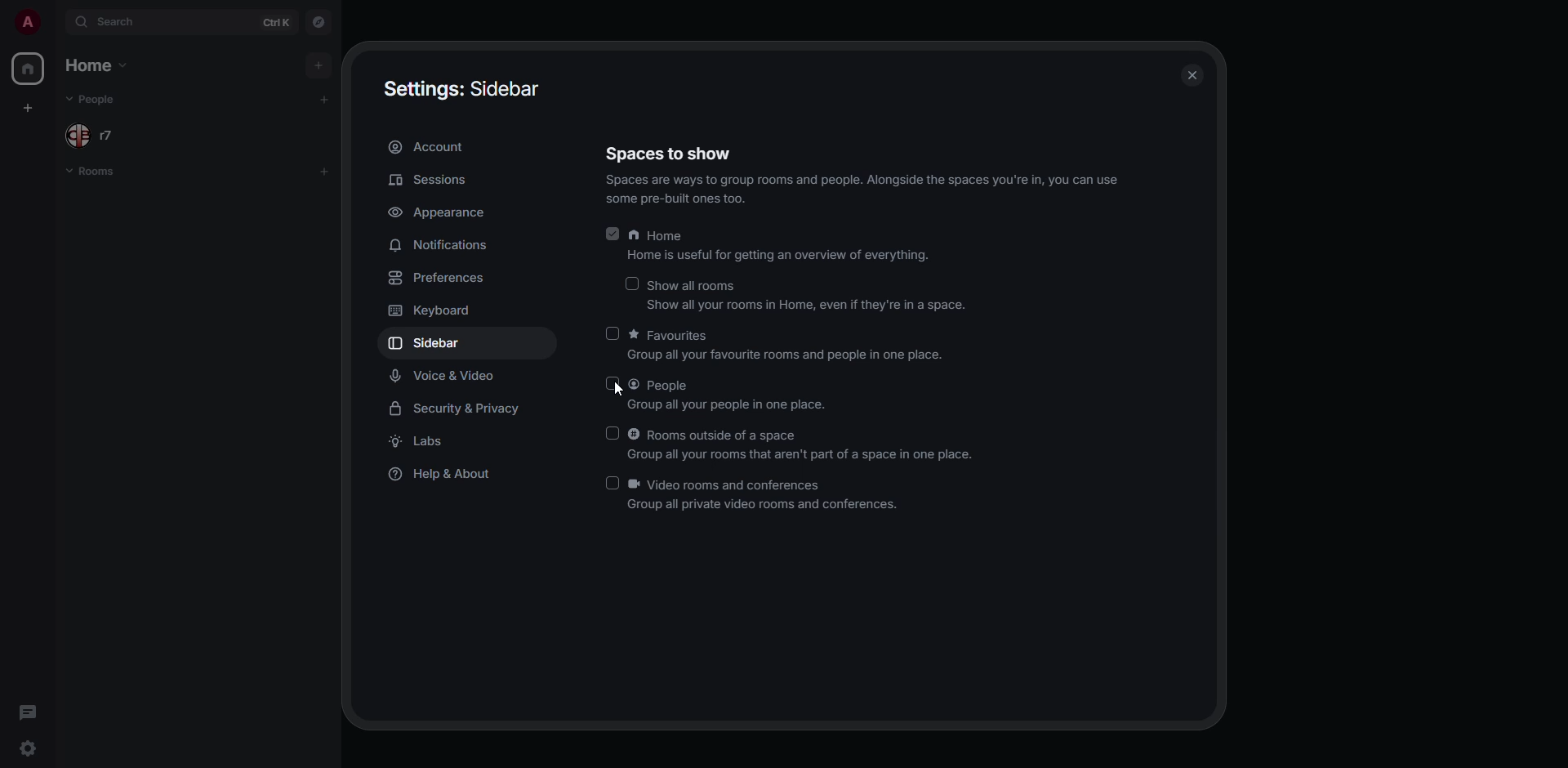 The height and width of the screenshot is (768, 1568). Describe the element at coordinates (785, 247) in the screenshot. I see `home` at that location.